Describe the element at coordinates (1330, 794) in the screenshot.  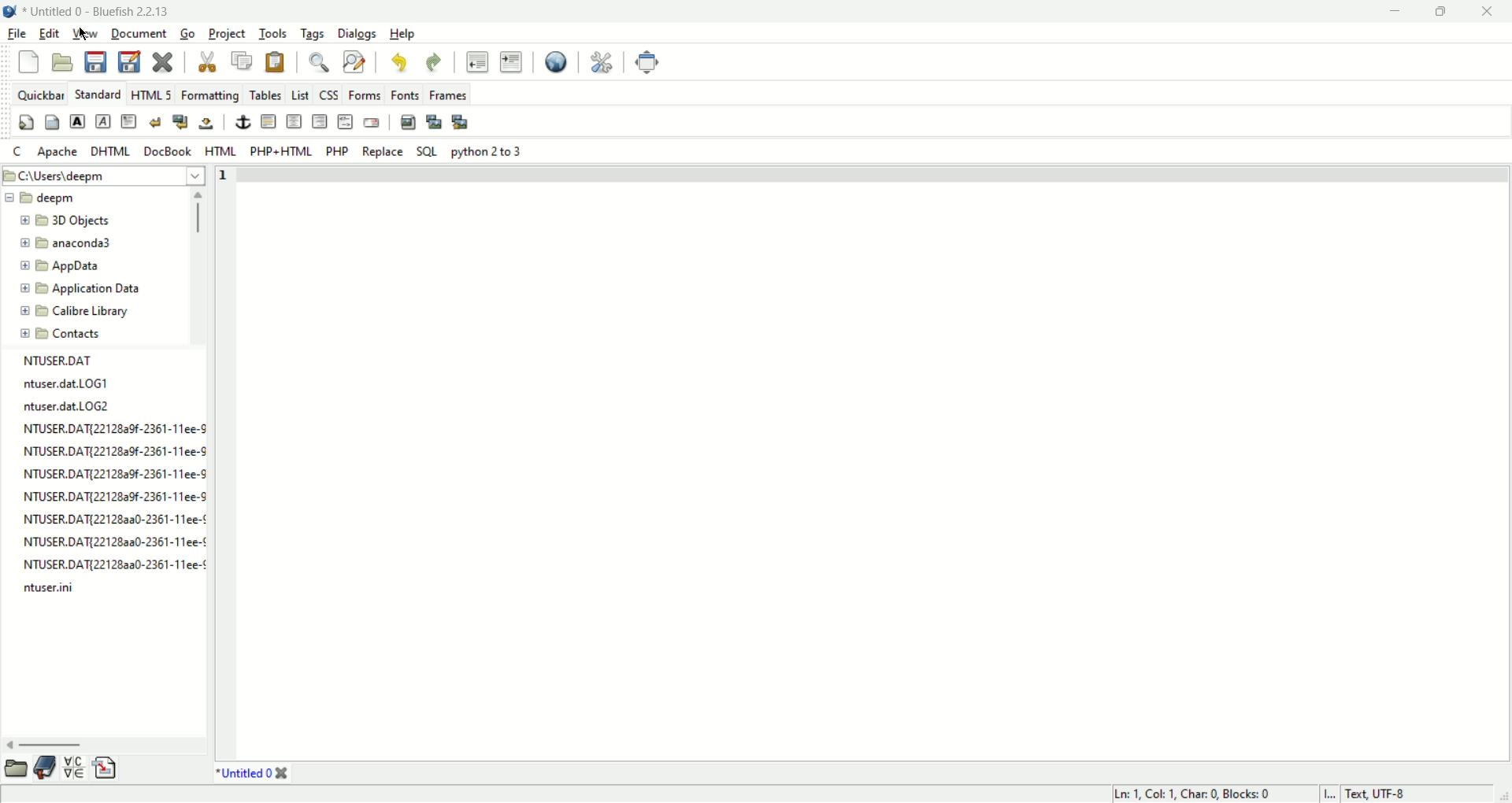
I see `I` at that location.